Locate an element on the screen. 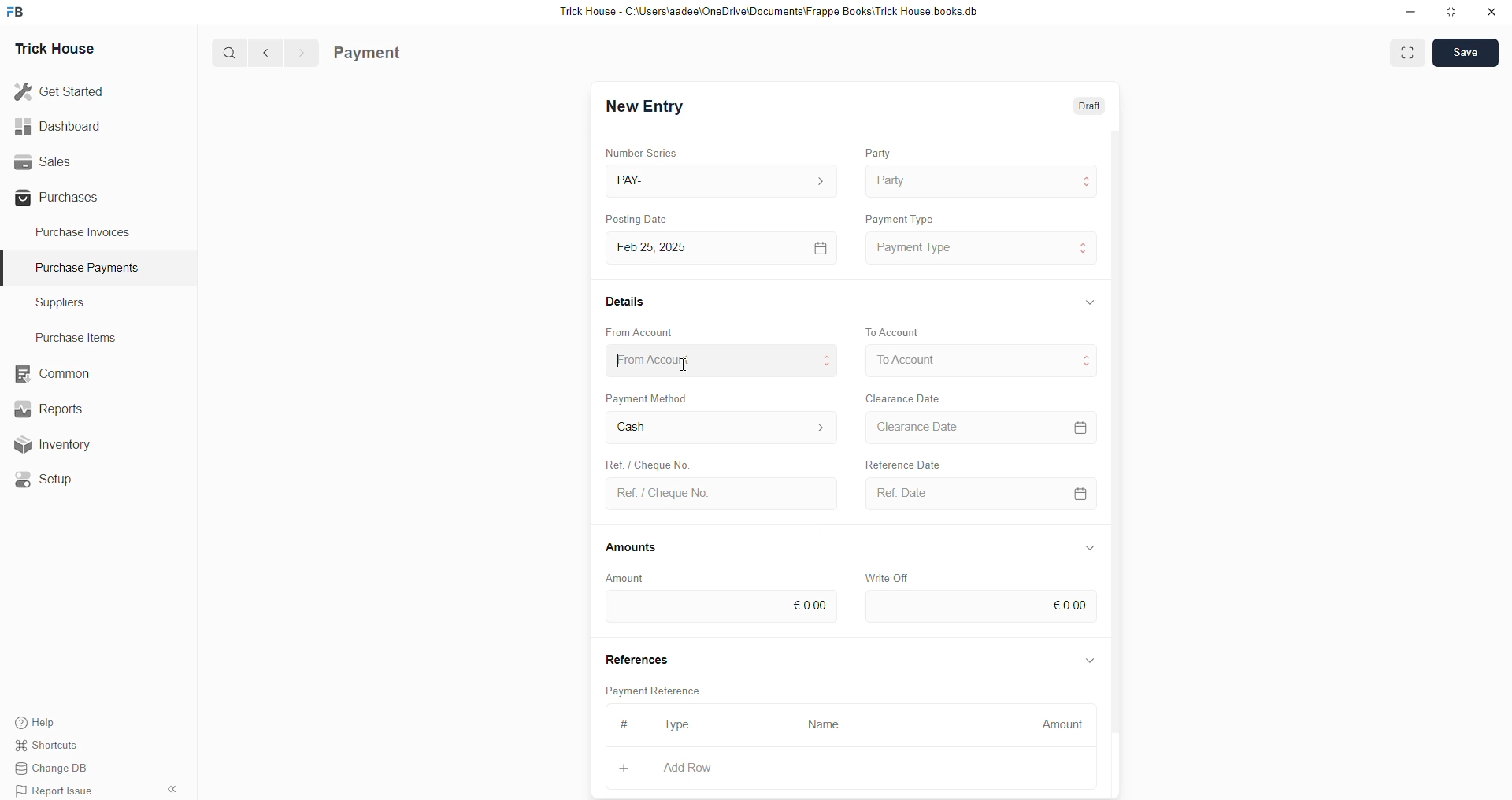 The height and width of the screenshot is (800, 1512). €0.00 is located at coordinates (810, 602).